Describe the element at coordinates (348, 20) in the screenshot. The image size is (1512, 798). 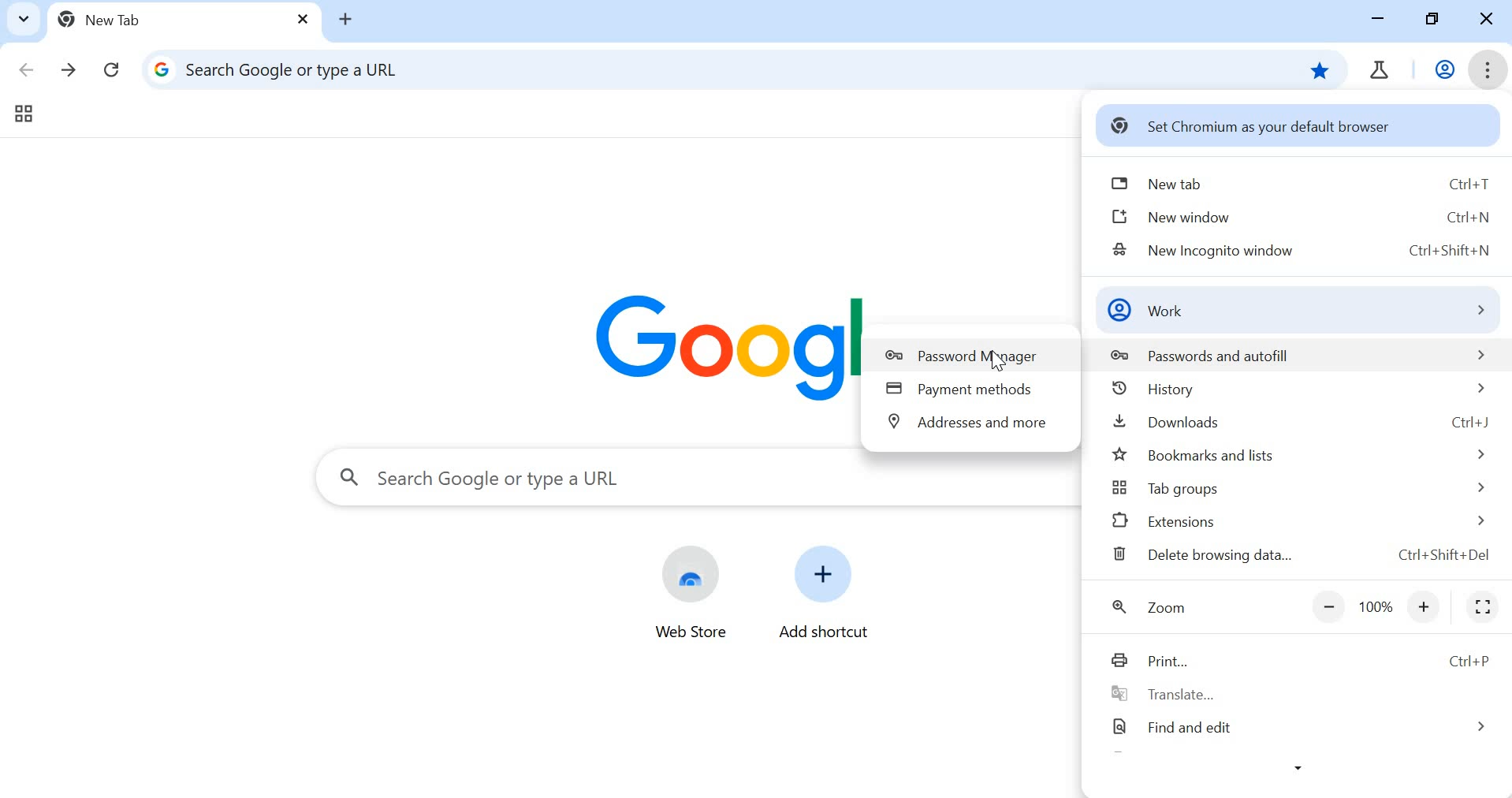
I see `add tab` at that location.